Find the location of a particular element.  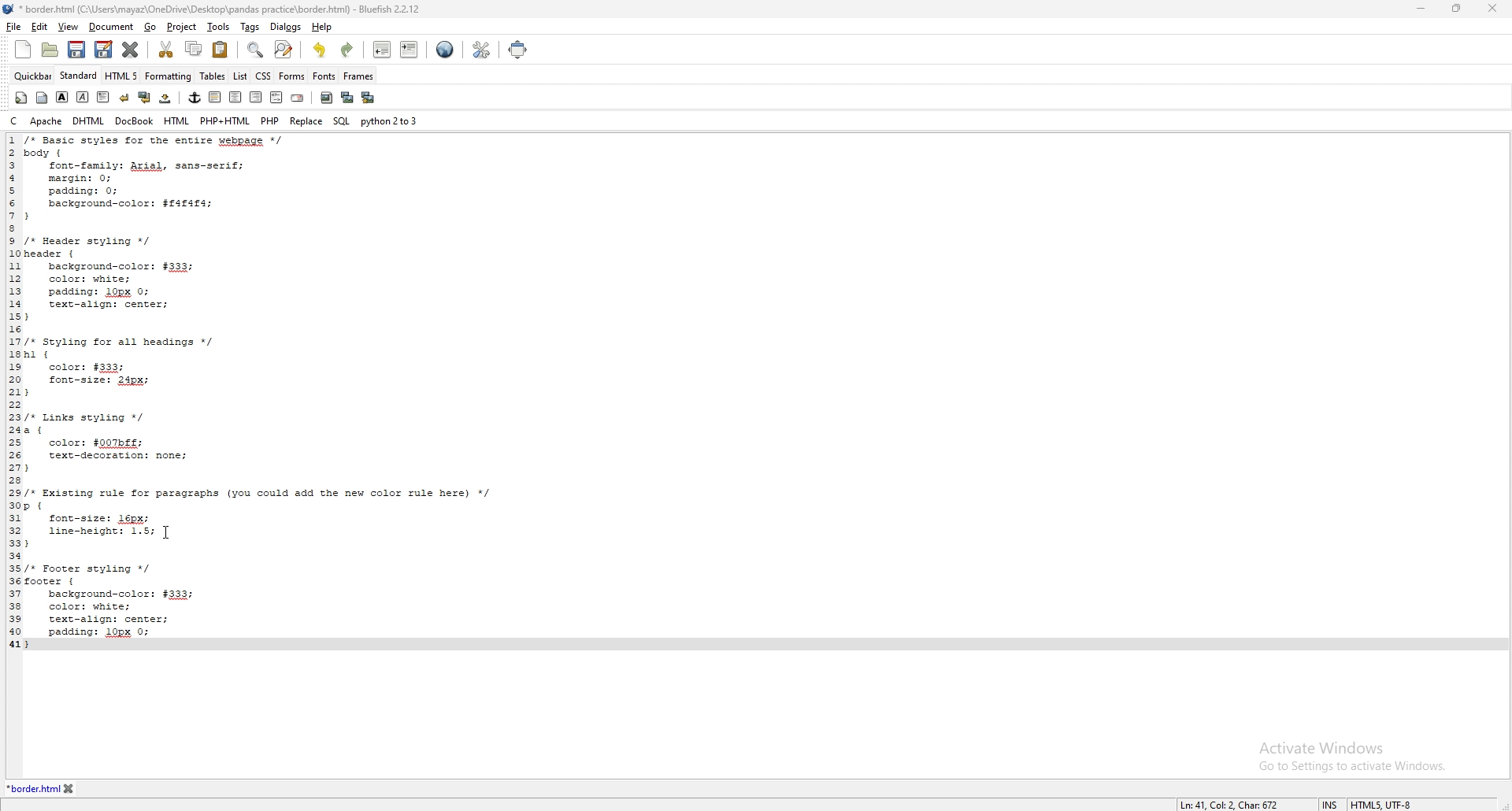

formatting is located at coordinates (169, 76).